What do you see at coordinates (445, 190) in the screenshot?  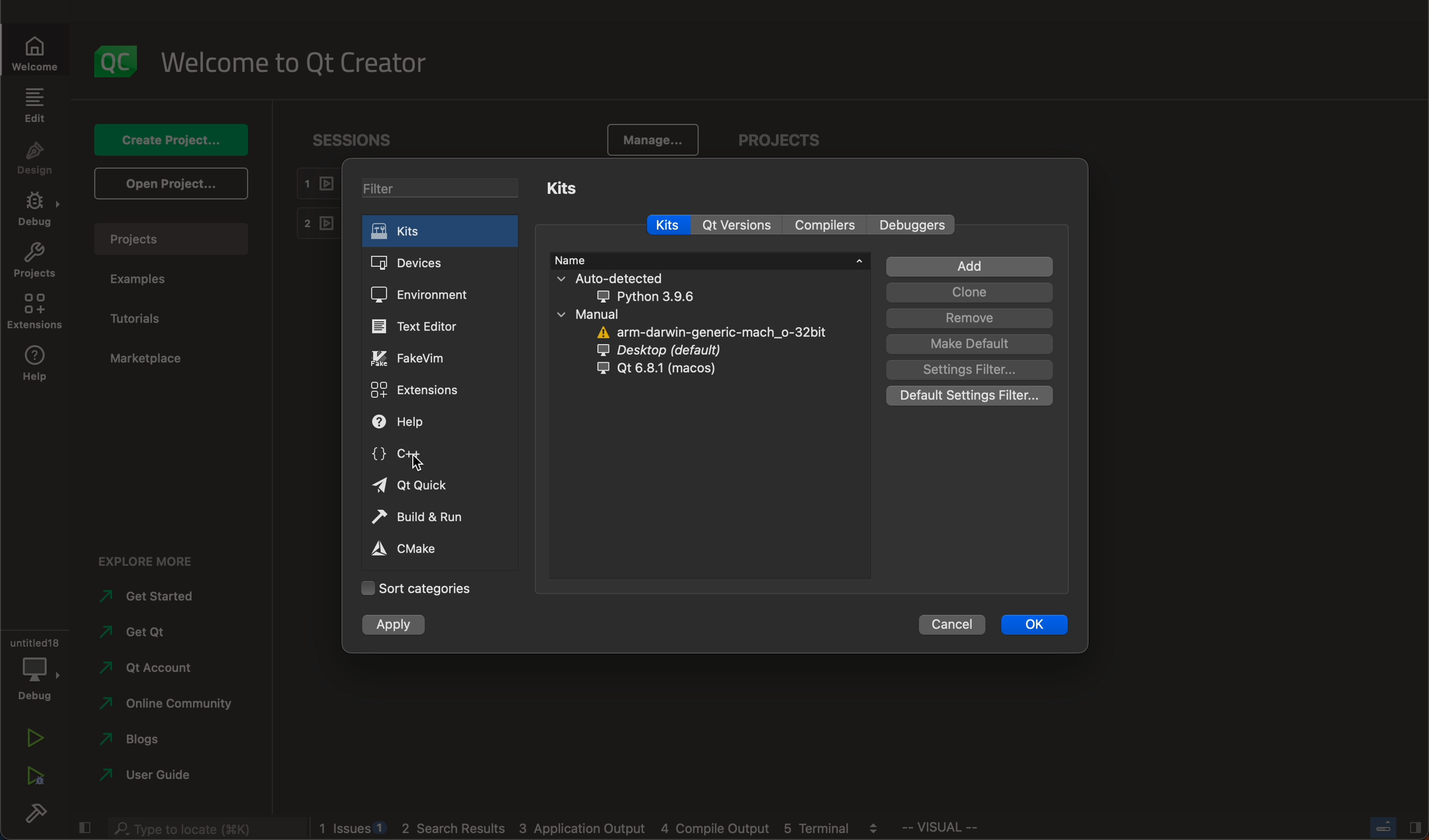 I see `filter` at bounding box center [445, 190].